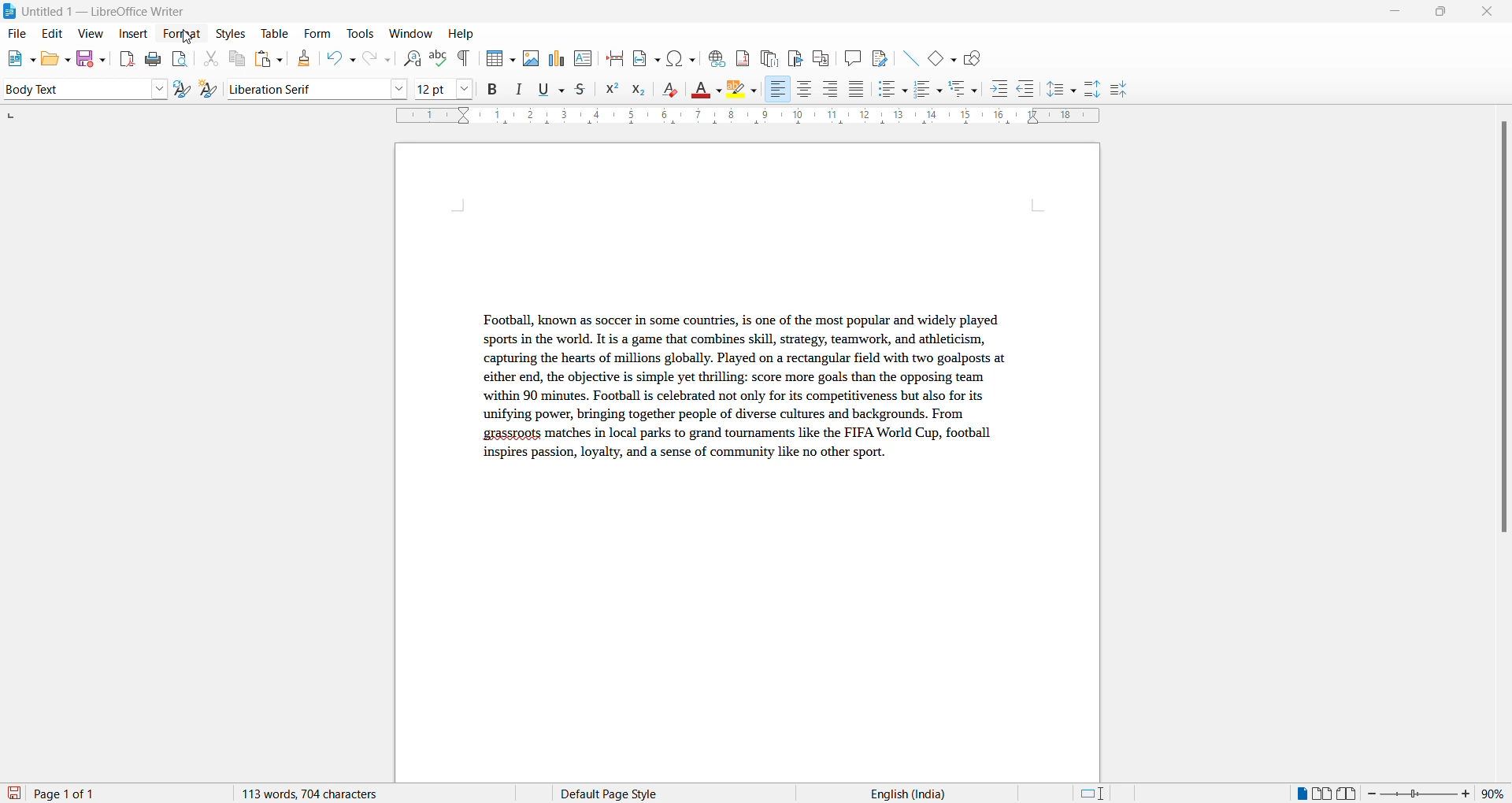 Image resolution: width=1512 pixels, height=803 pixels. Describe the element at coordinates (54, 34) in the screenshot. I see `edit` at that location.